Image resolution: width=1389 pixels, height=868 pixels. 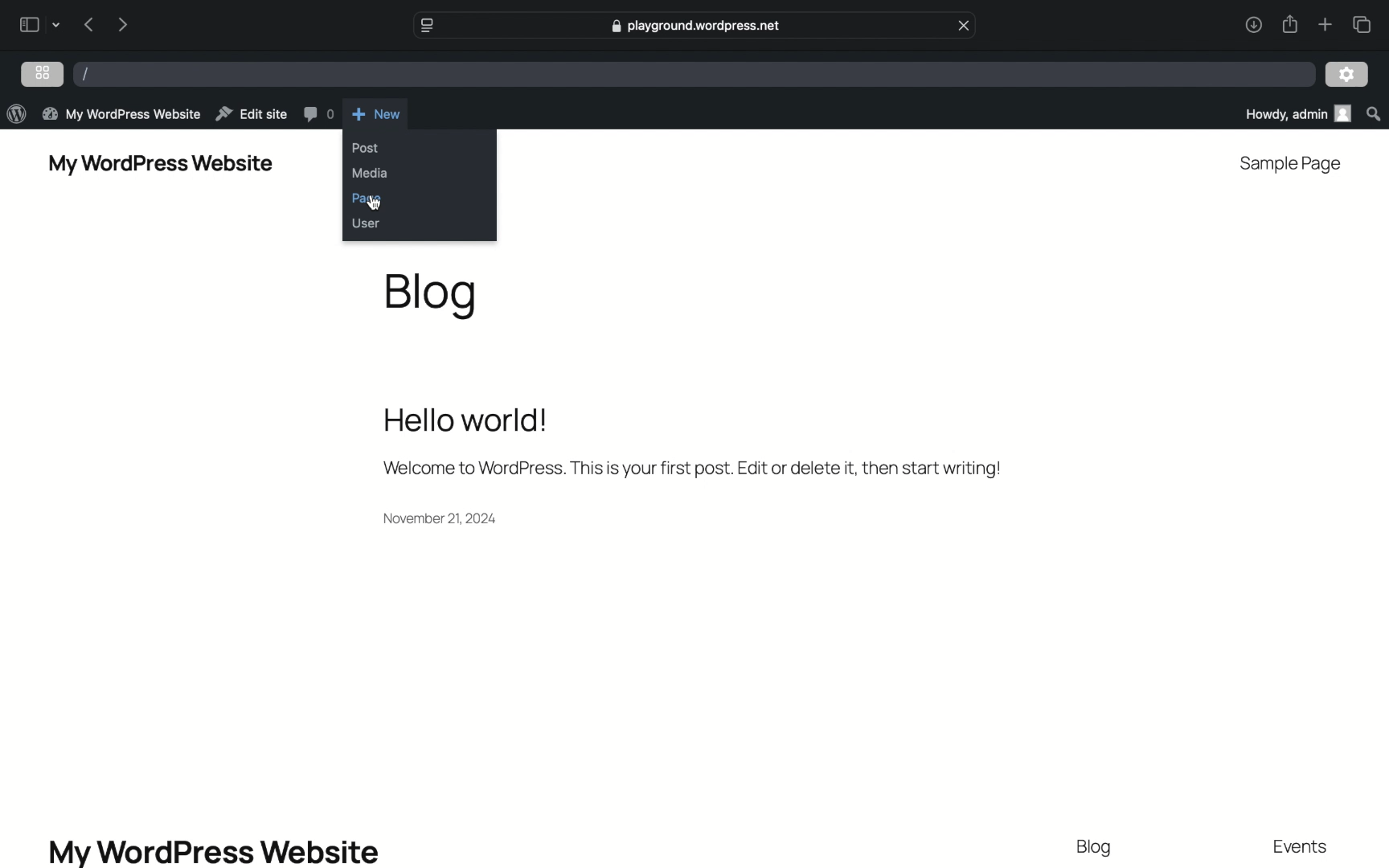 I want to click on date, so click(x=442, y=518).